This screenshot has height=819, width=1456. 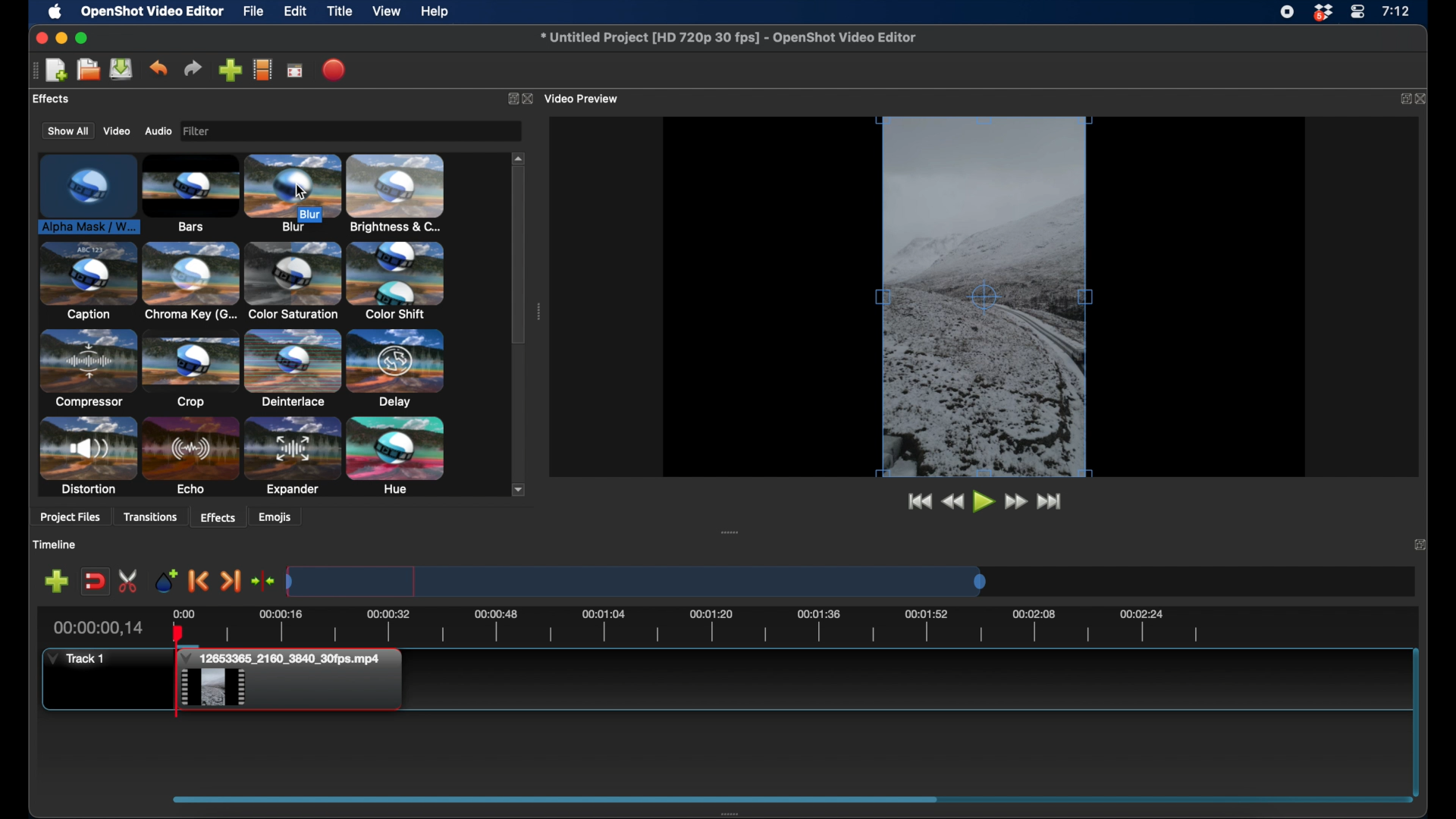 I want to click on timeline, so click(x=707, y=629).